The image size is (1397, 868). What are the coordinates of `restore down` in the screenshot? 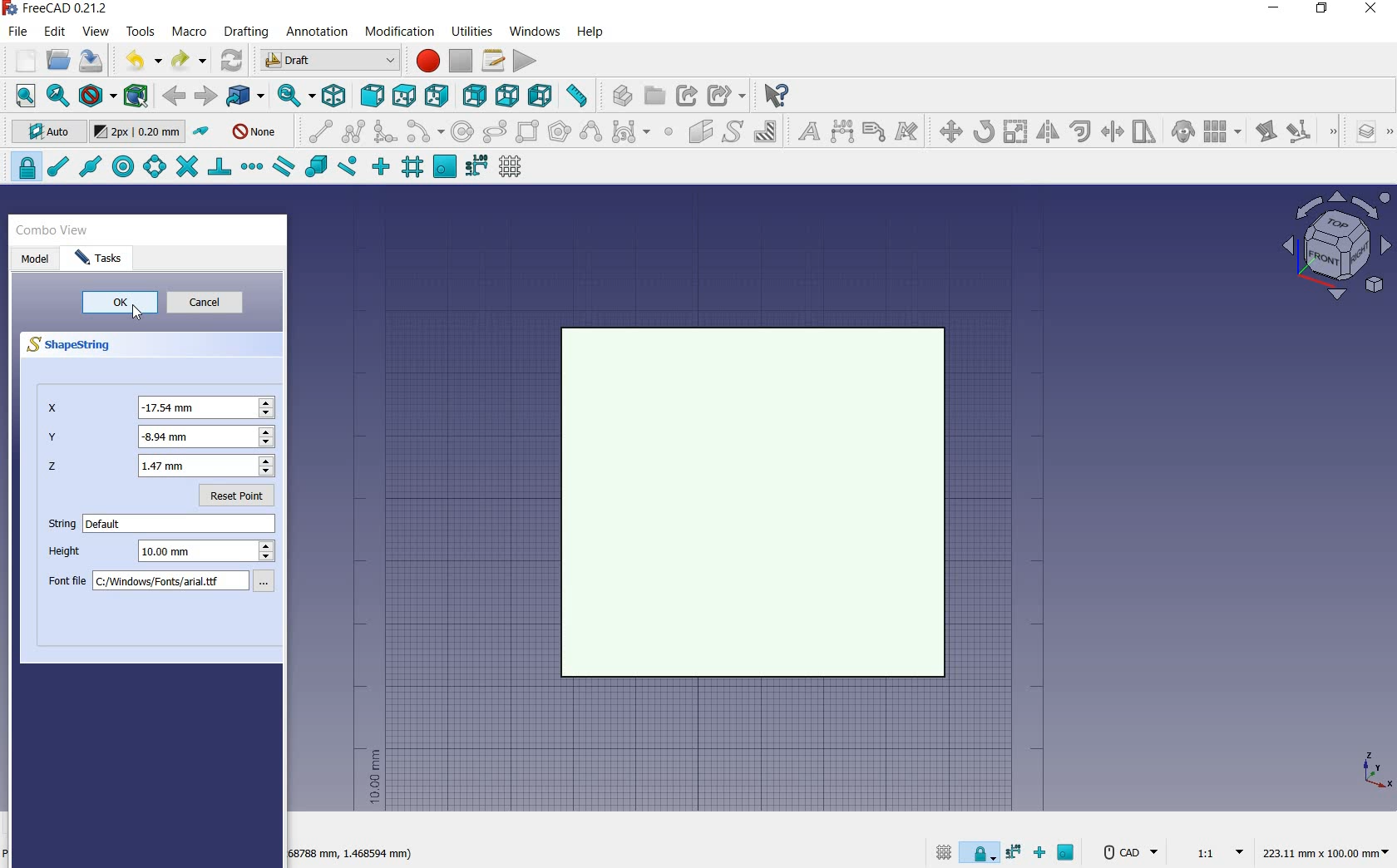 It's located at (1323, 10).